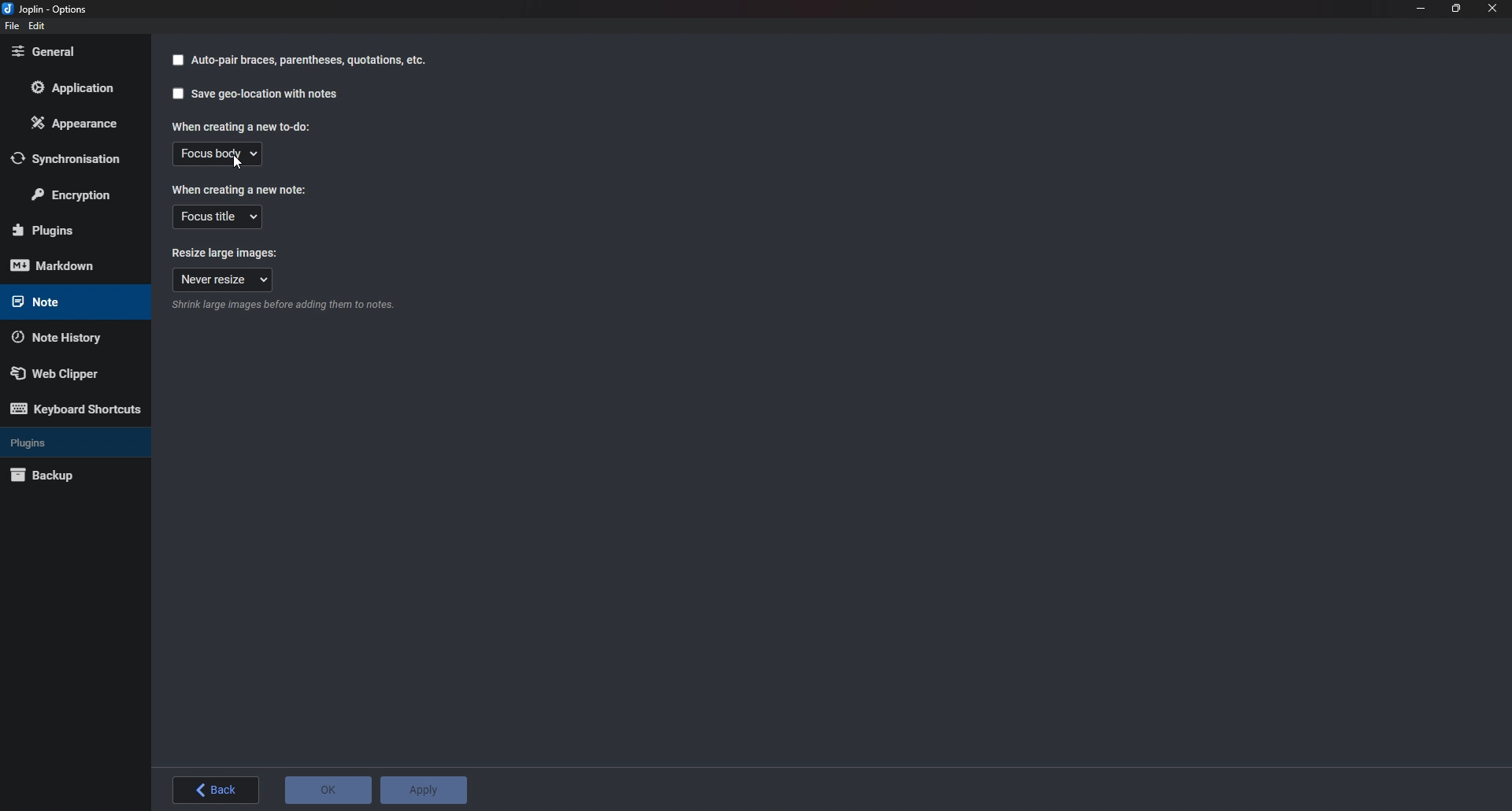 The width and height of the screenshot is (1512, 811). I want to click on checkbox, so click(177, 94).